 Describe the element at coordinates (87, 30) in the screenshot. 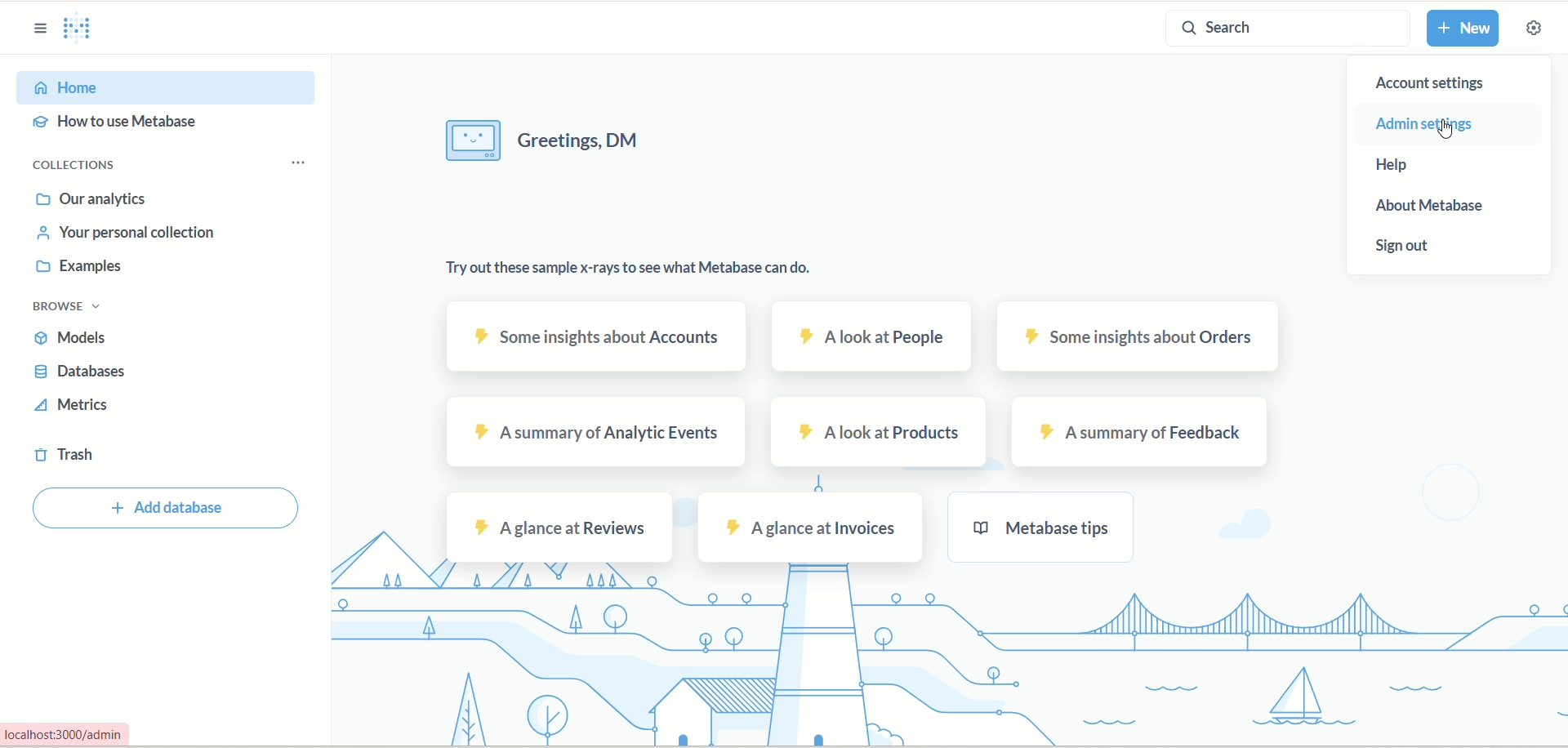

I see `logo` at that location.